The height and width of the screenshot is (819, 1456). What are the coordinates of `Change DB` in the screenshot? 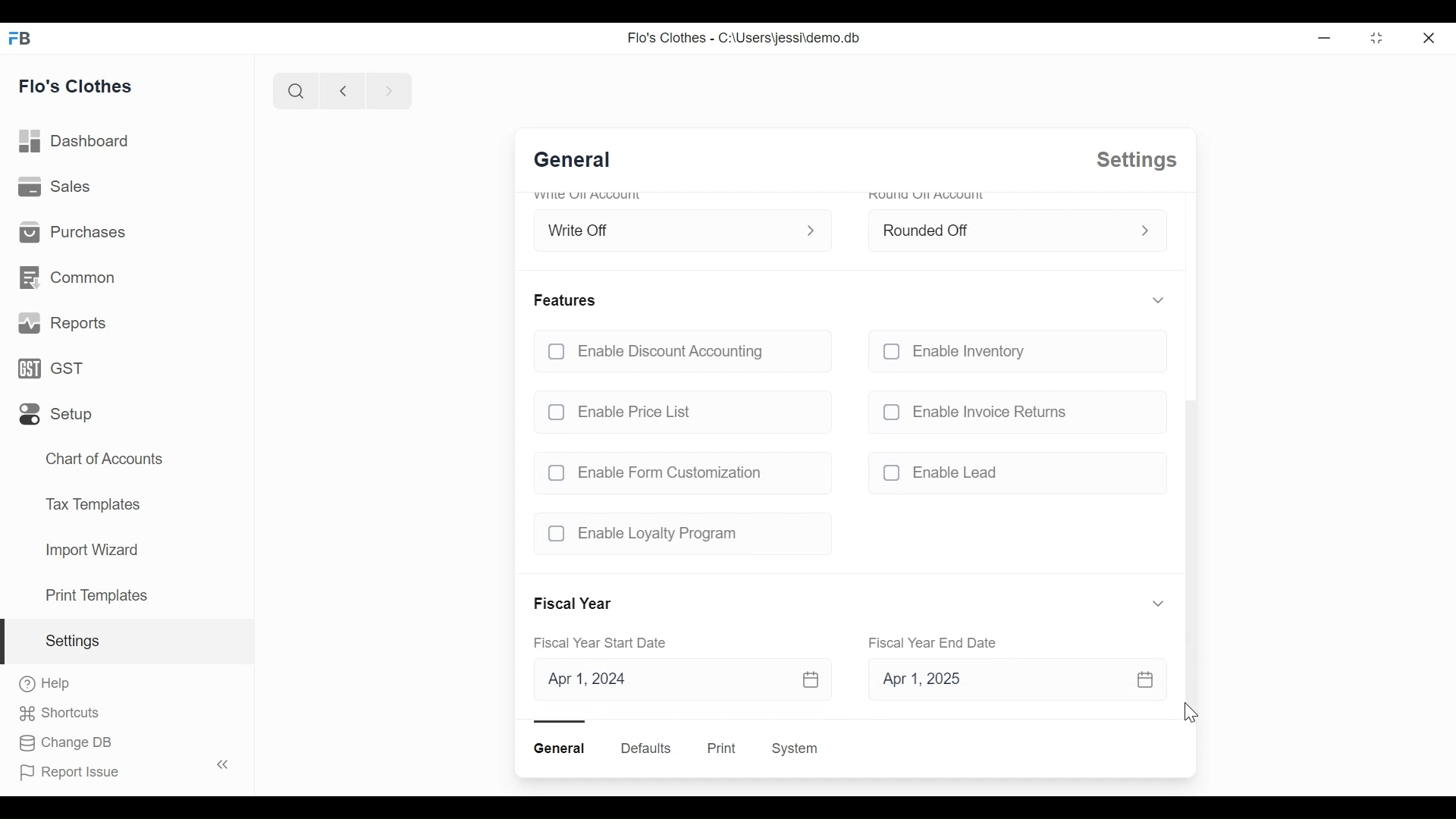 It's located at (66, 744).